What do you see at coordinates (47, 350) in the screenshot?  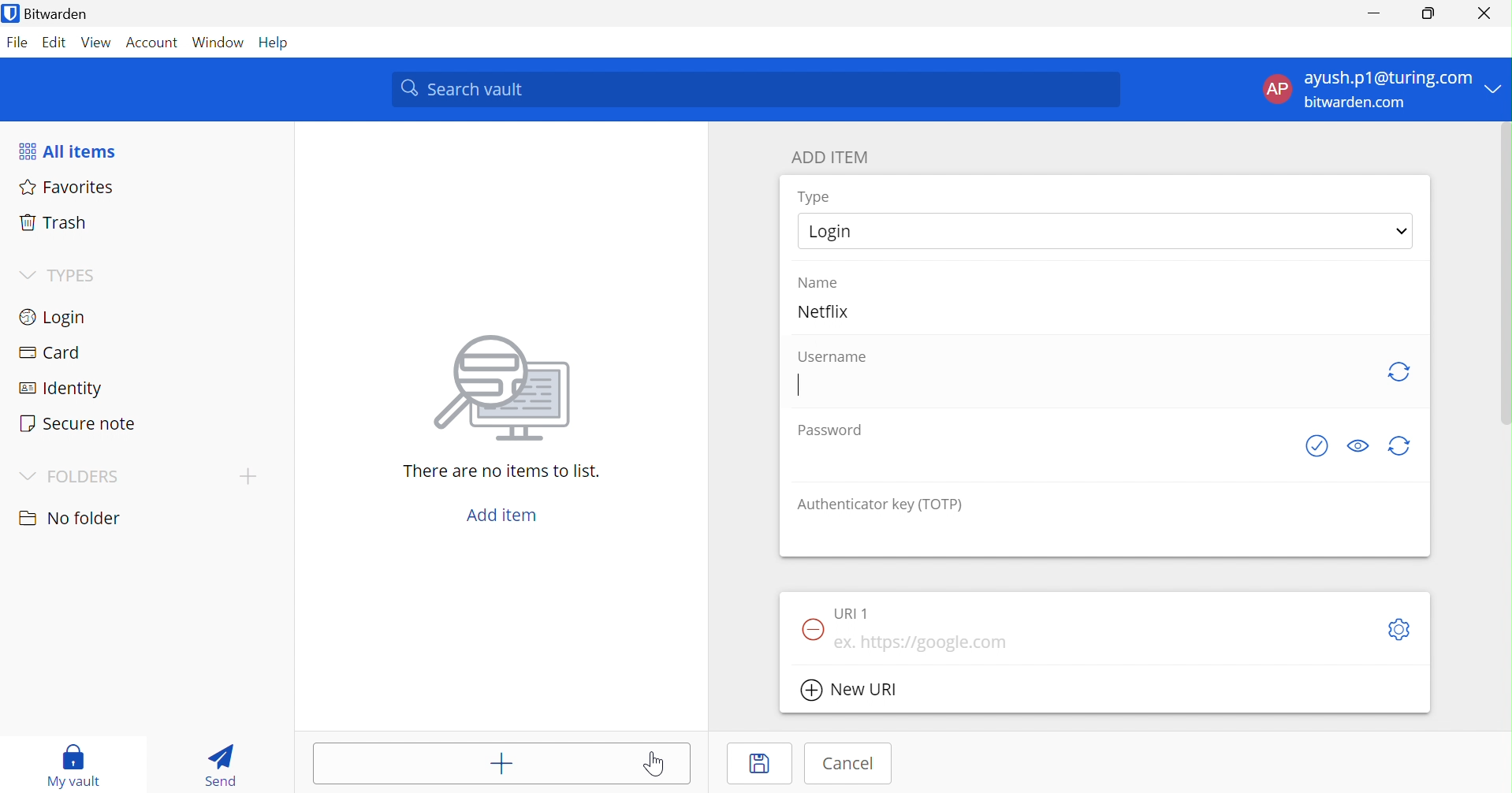 I see `Card` at bounding box center [47, 350].